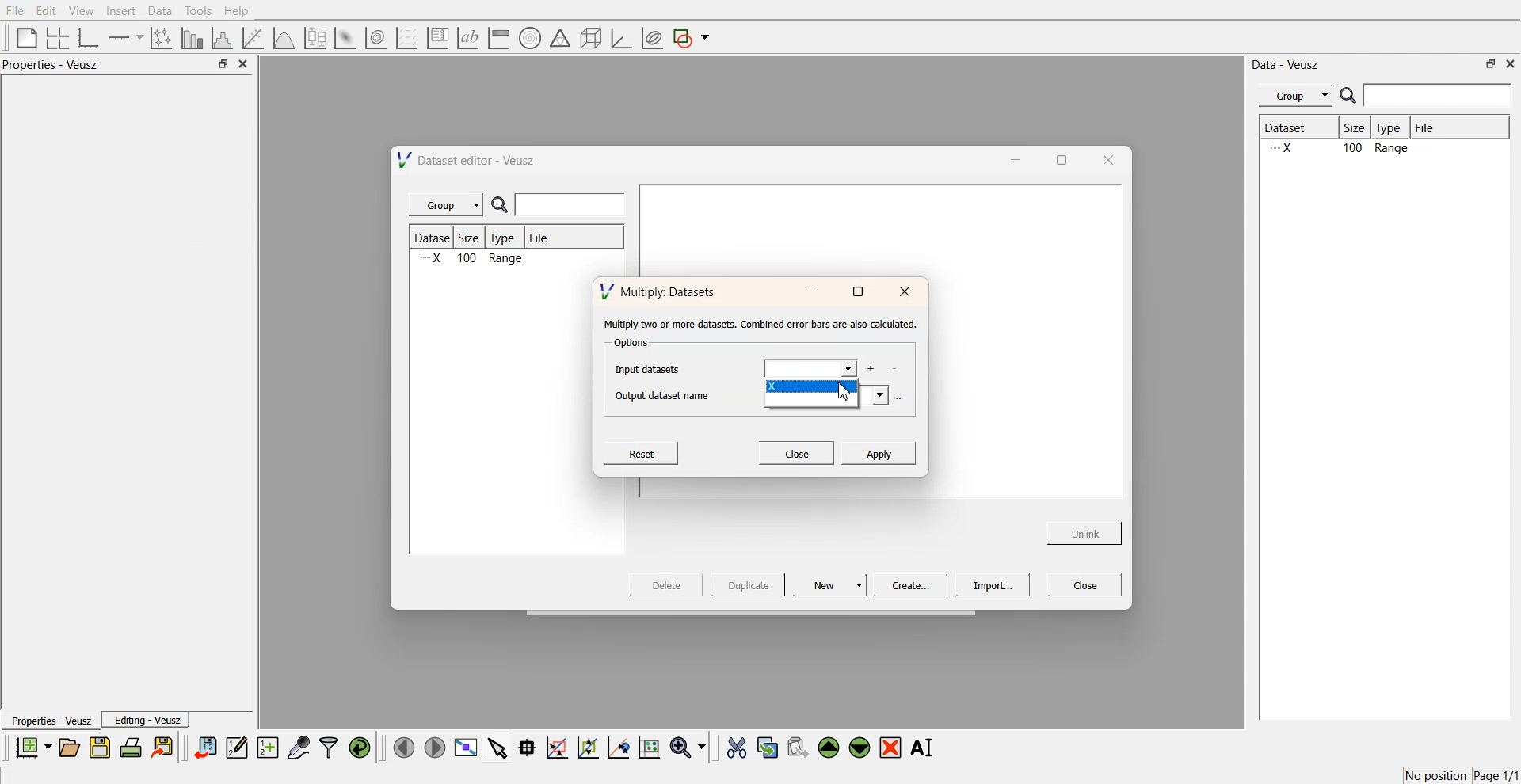  I want to click on import data sets, so click(204, 748).